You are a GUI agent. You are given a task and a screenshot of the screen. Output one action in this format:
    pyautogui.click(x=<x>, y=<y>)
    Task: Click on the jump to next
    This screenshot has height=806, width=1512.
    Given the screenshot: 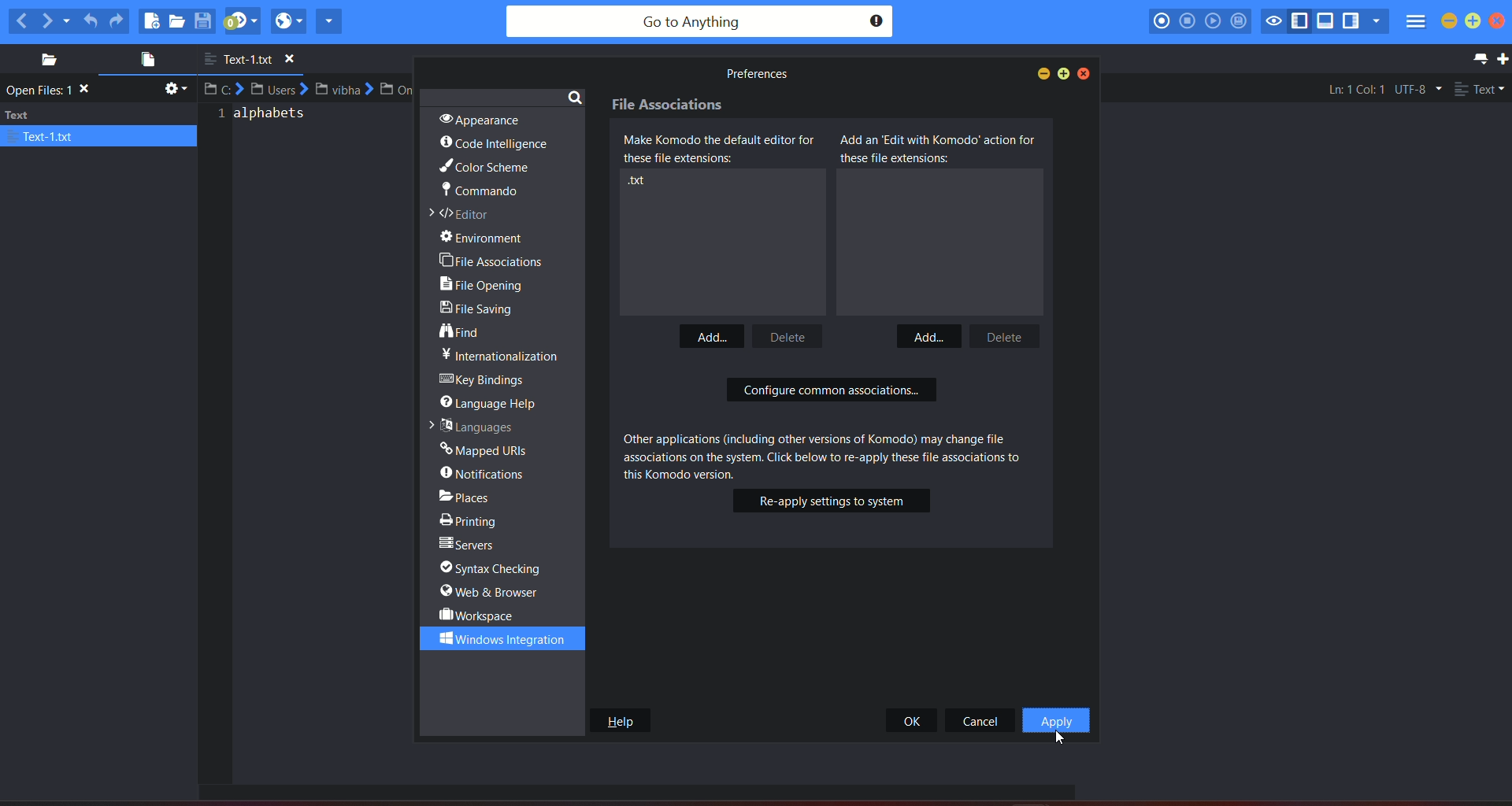 What is the action you would take?
    pyautogui.click(x=242, y=21)
    